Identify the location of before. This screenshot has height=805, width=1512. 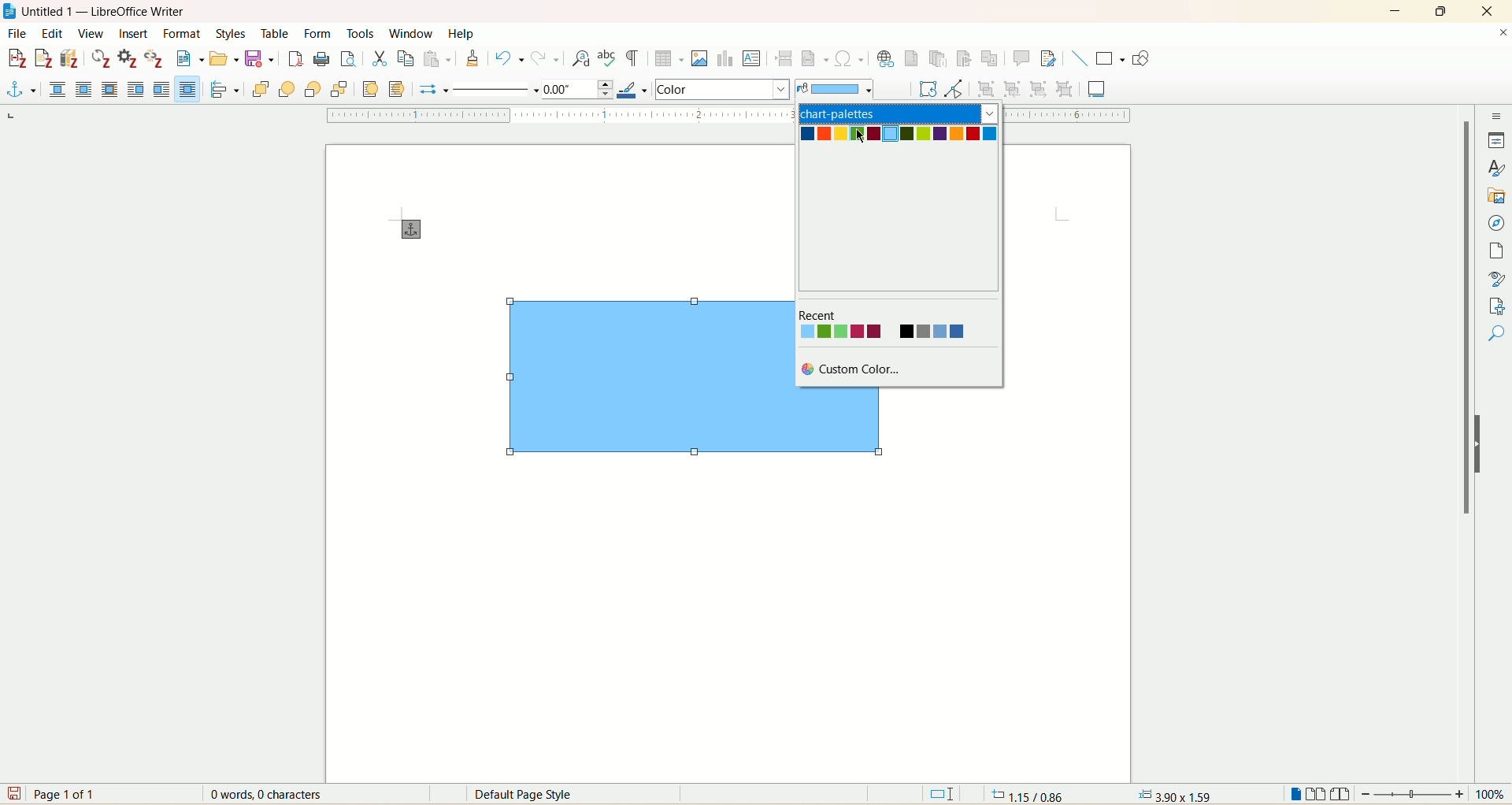
(136, 89).